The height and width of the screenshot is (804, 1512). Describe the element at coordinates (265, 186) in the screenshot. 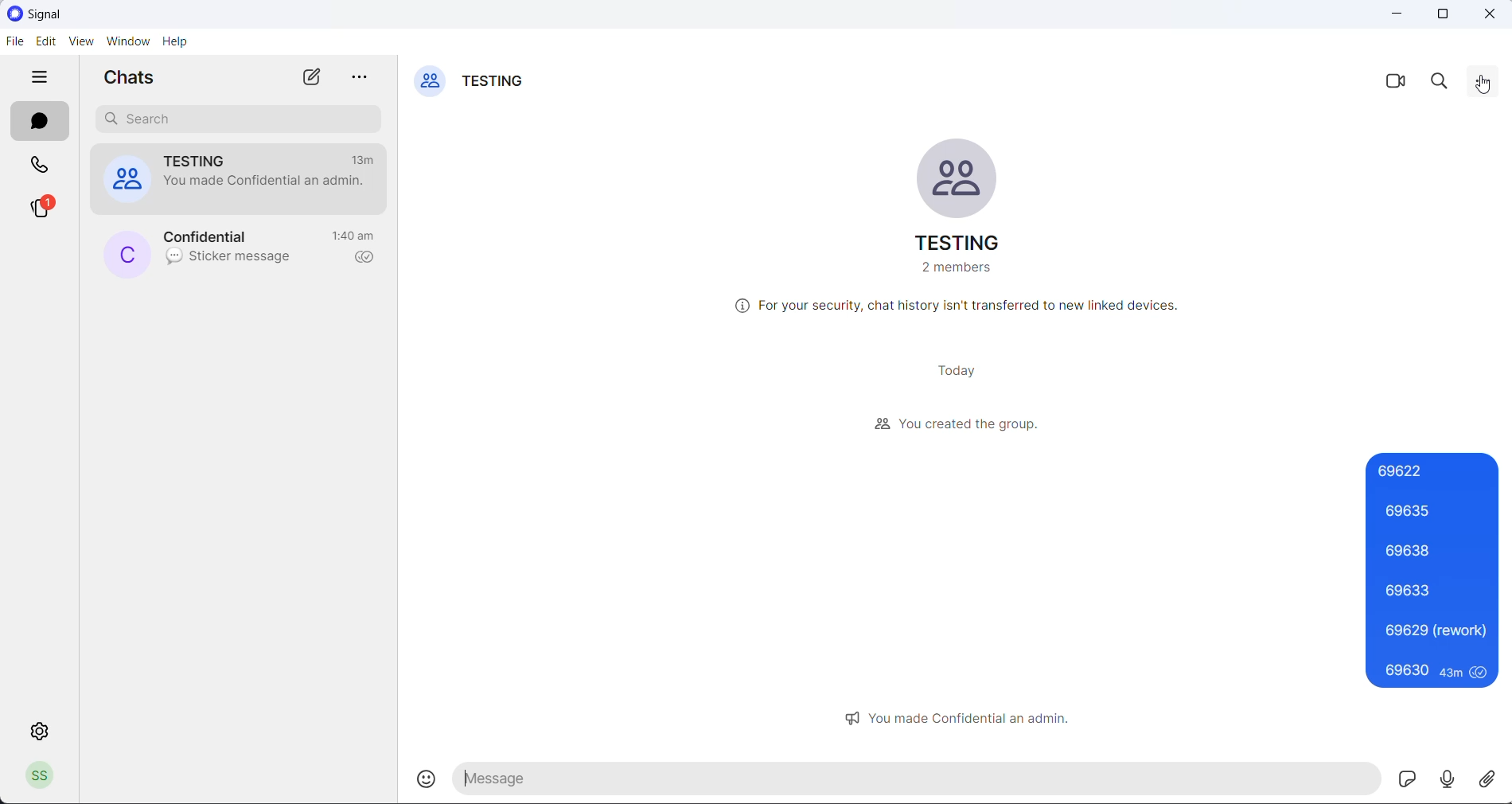

I see `admin change notification` at that location.